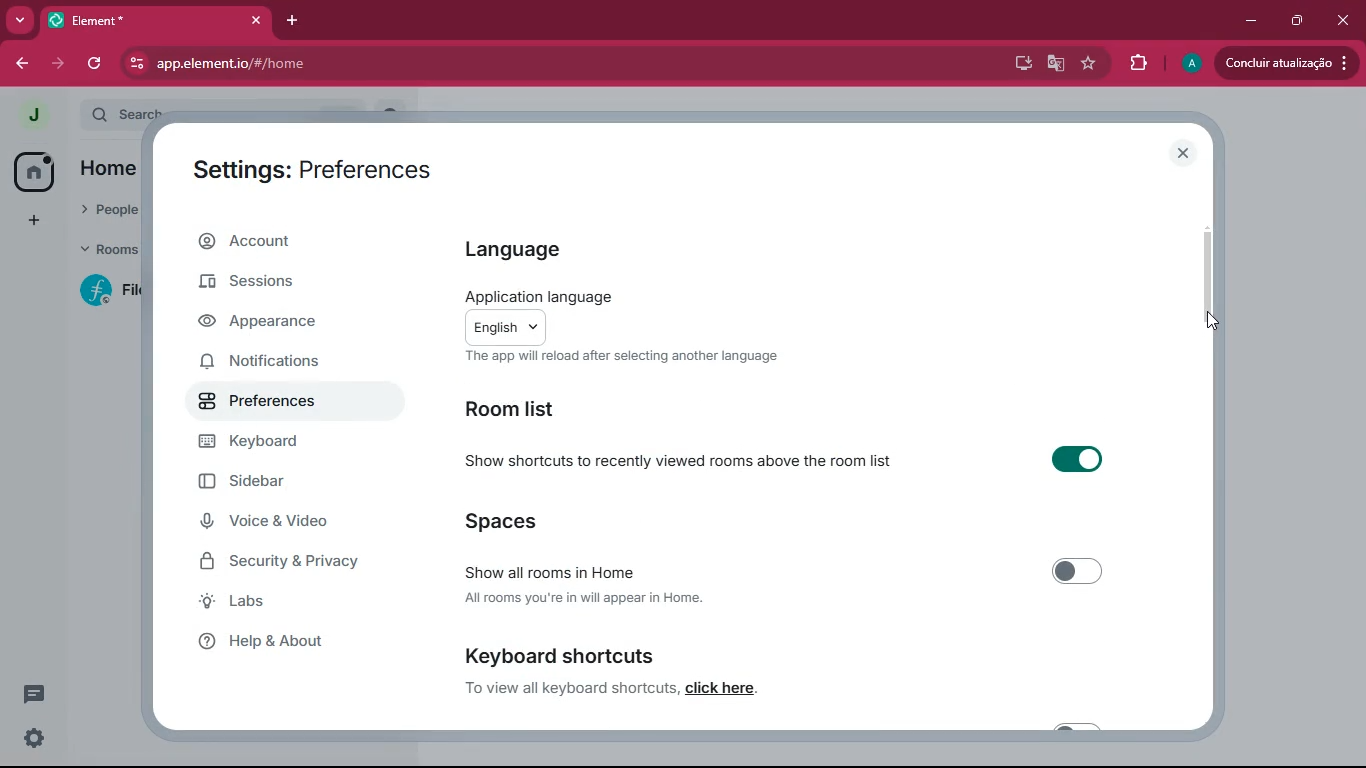  I want to click on help, so click(277, 641).